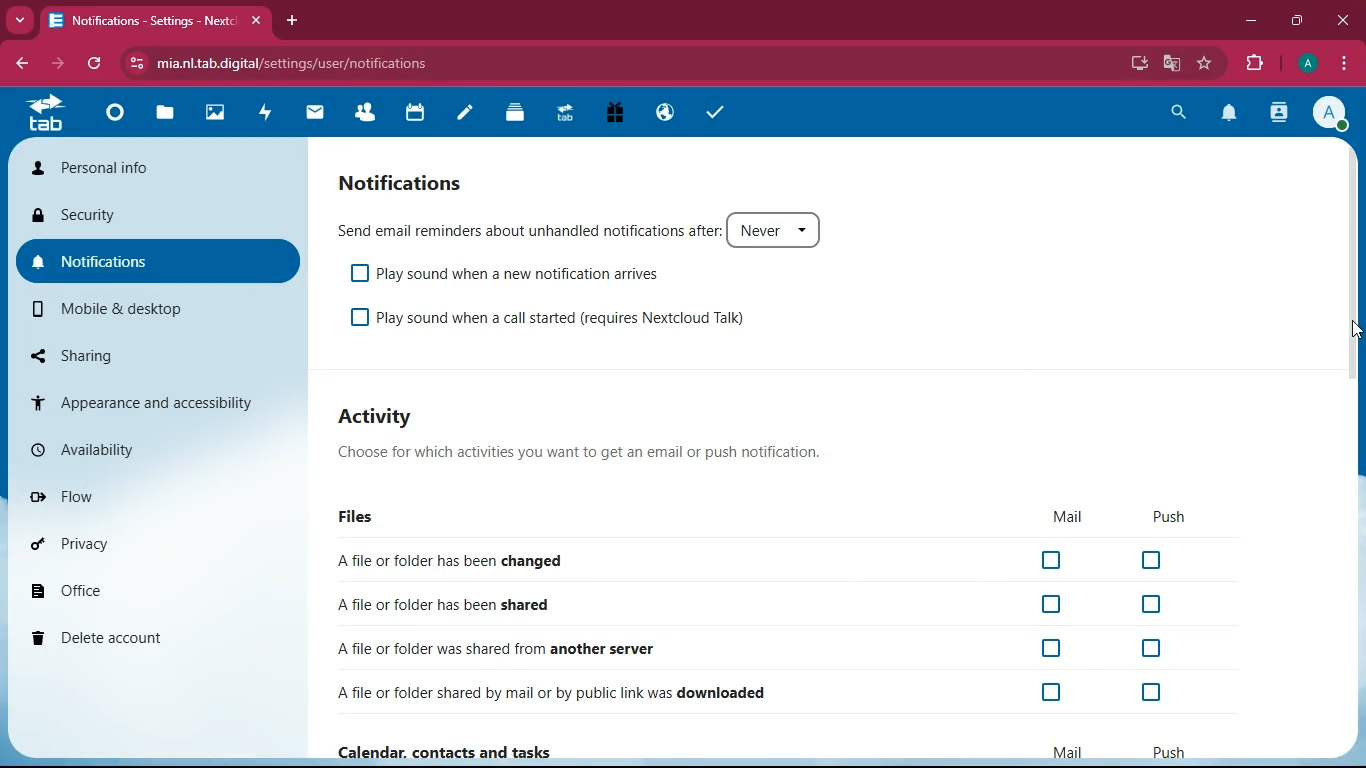 This screenshot has height=768, width=1366. Describe the element at coordinates (1053, 561) in the screenshot. I see `off` at that location.